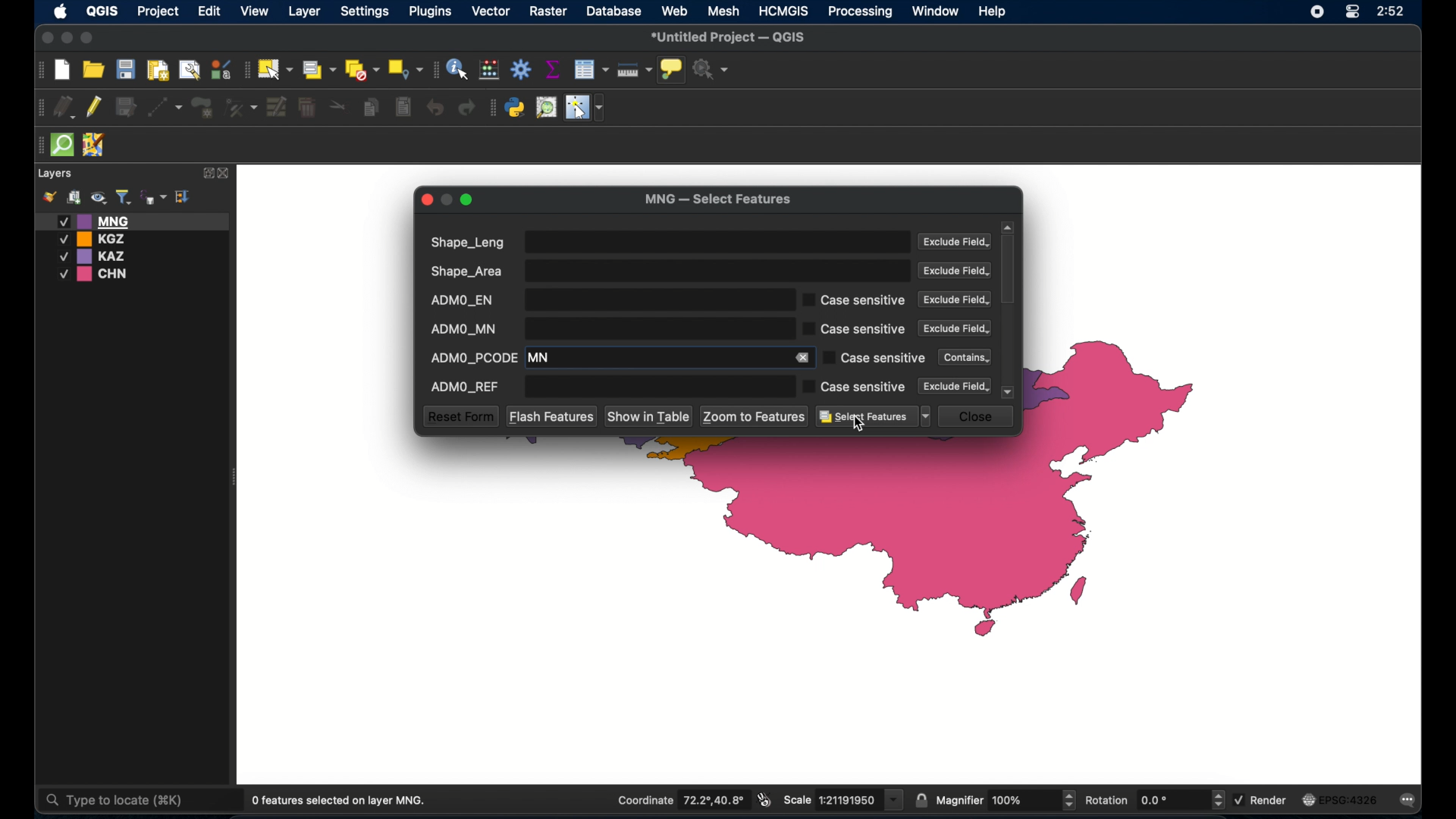  I want to click on ADMO_MN, so click(606, 328).